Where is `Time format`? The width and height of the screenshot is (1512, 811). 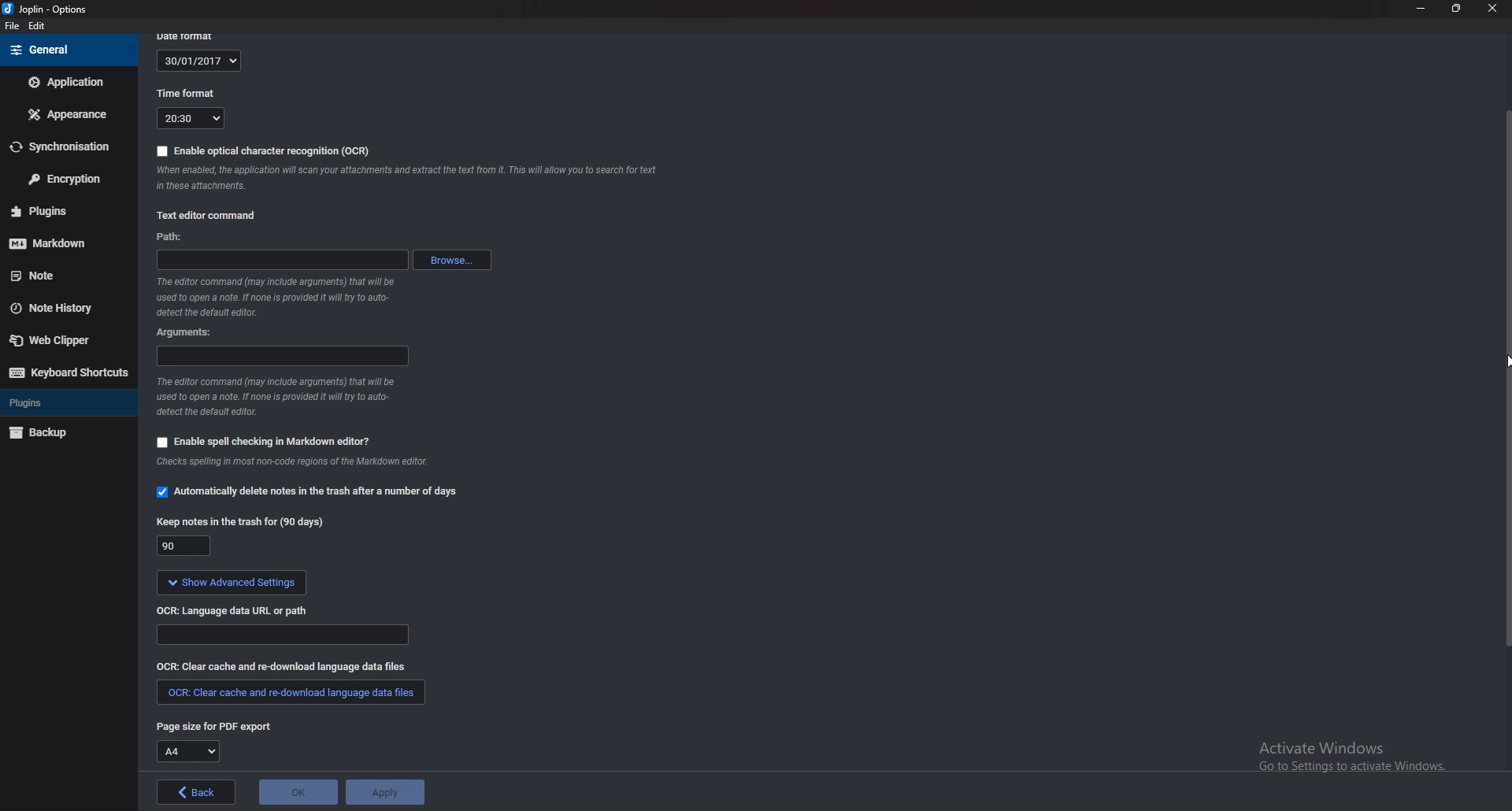
Time format is located at coordinates (187, 91).